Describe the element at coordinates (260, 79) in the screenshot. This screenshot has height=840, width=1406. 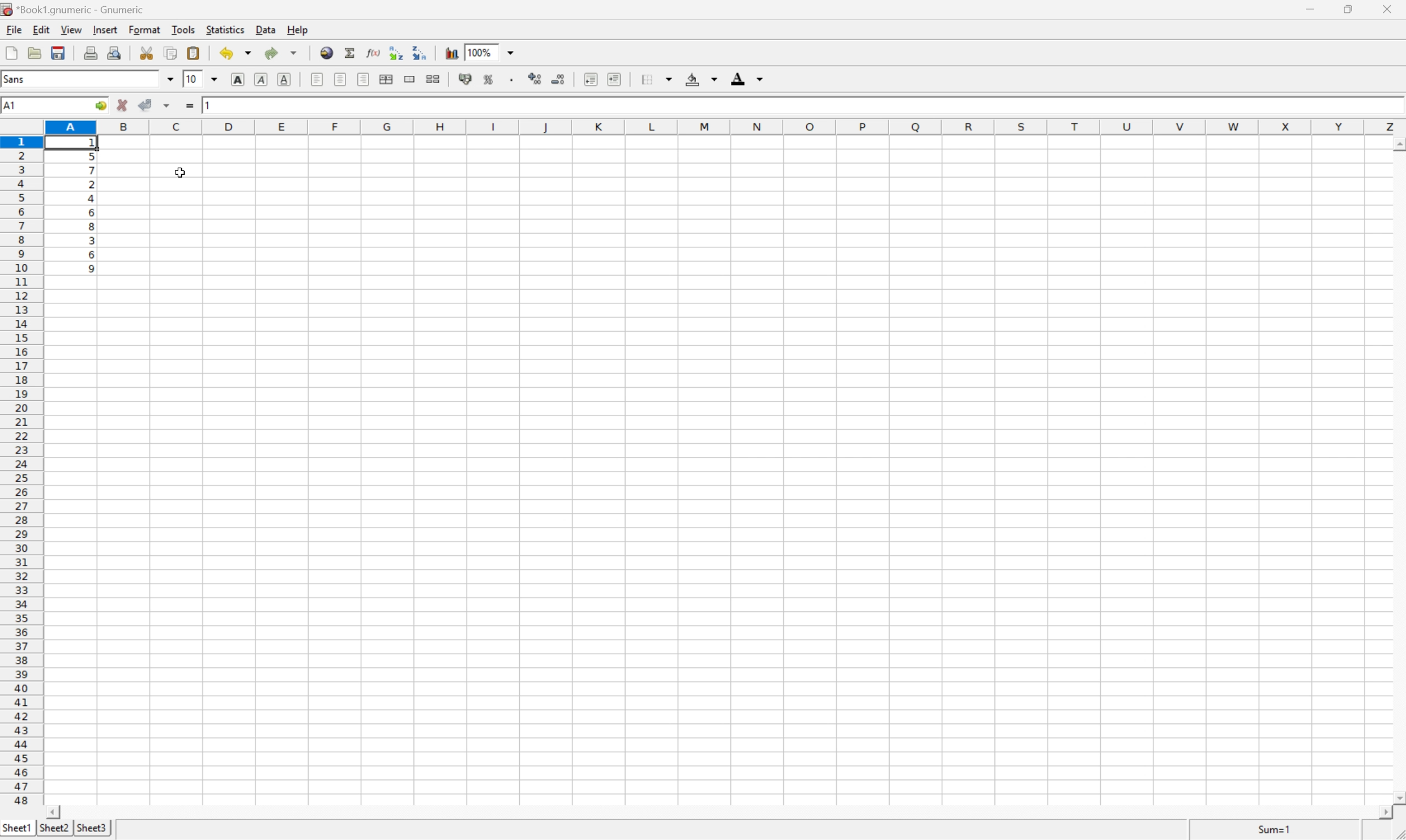
I see `italic` at that location.